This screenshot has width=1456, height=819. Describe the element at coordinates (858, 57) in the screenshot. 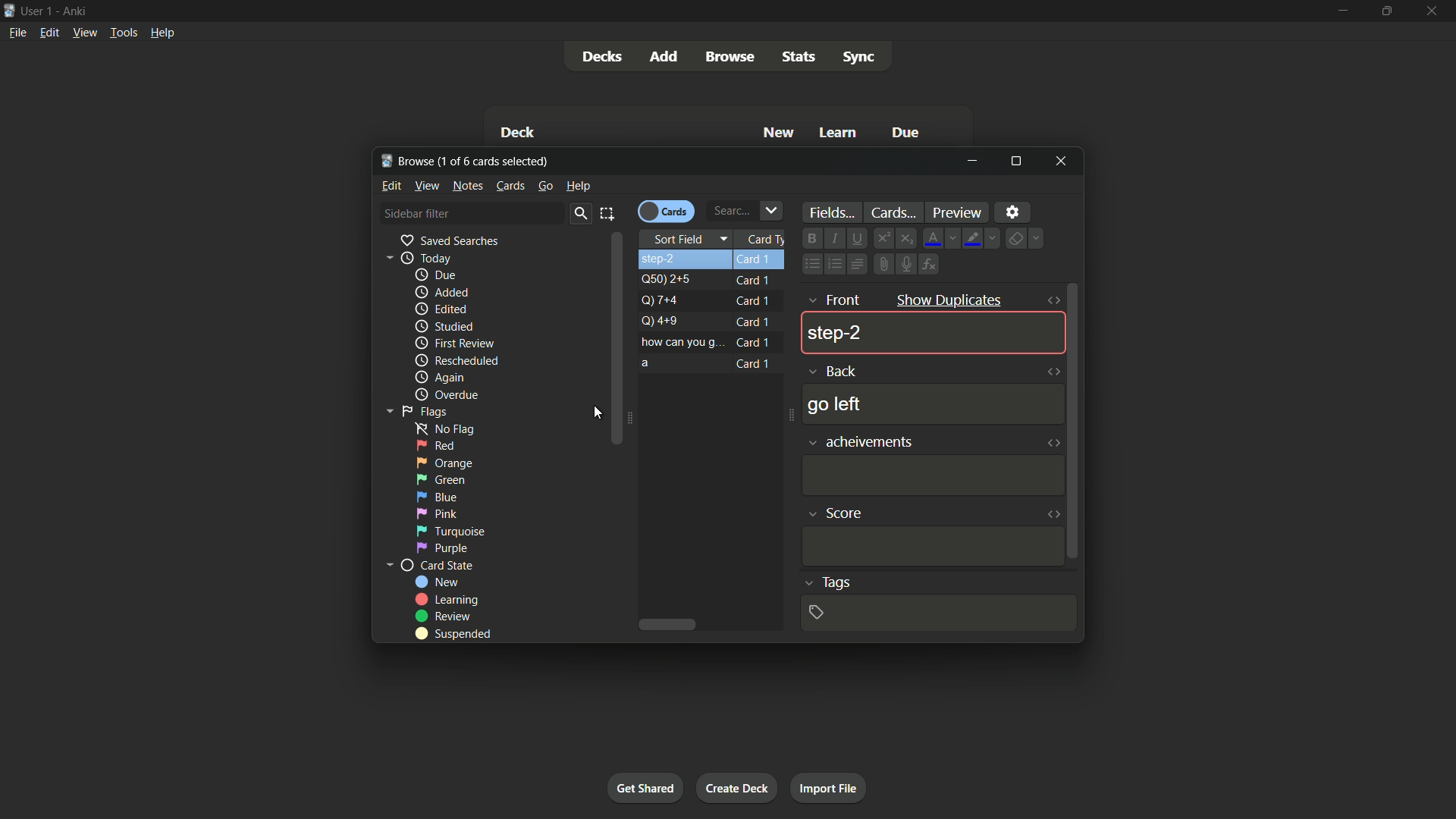

I see `Sync` at that location.